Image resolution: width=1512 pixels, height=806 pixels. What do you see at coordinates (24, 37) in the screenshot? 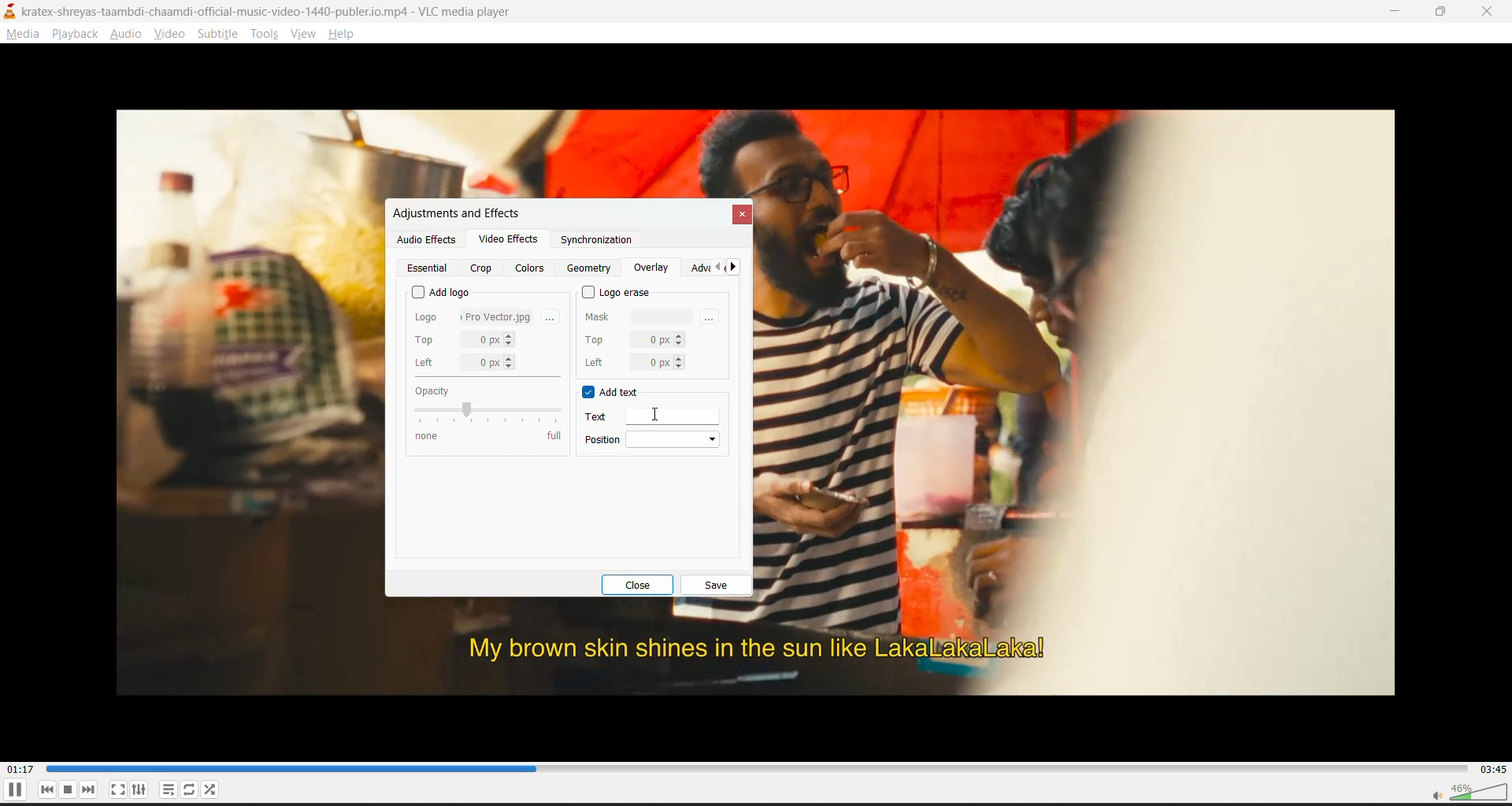
I see `media` at bounding box center [24, 37].